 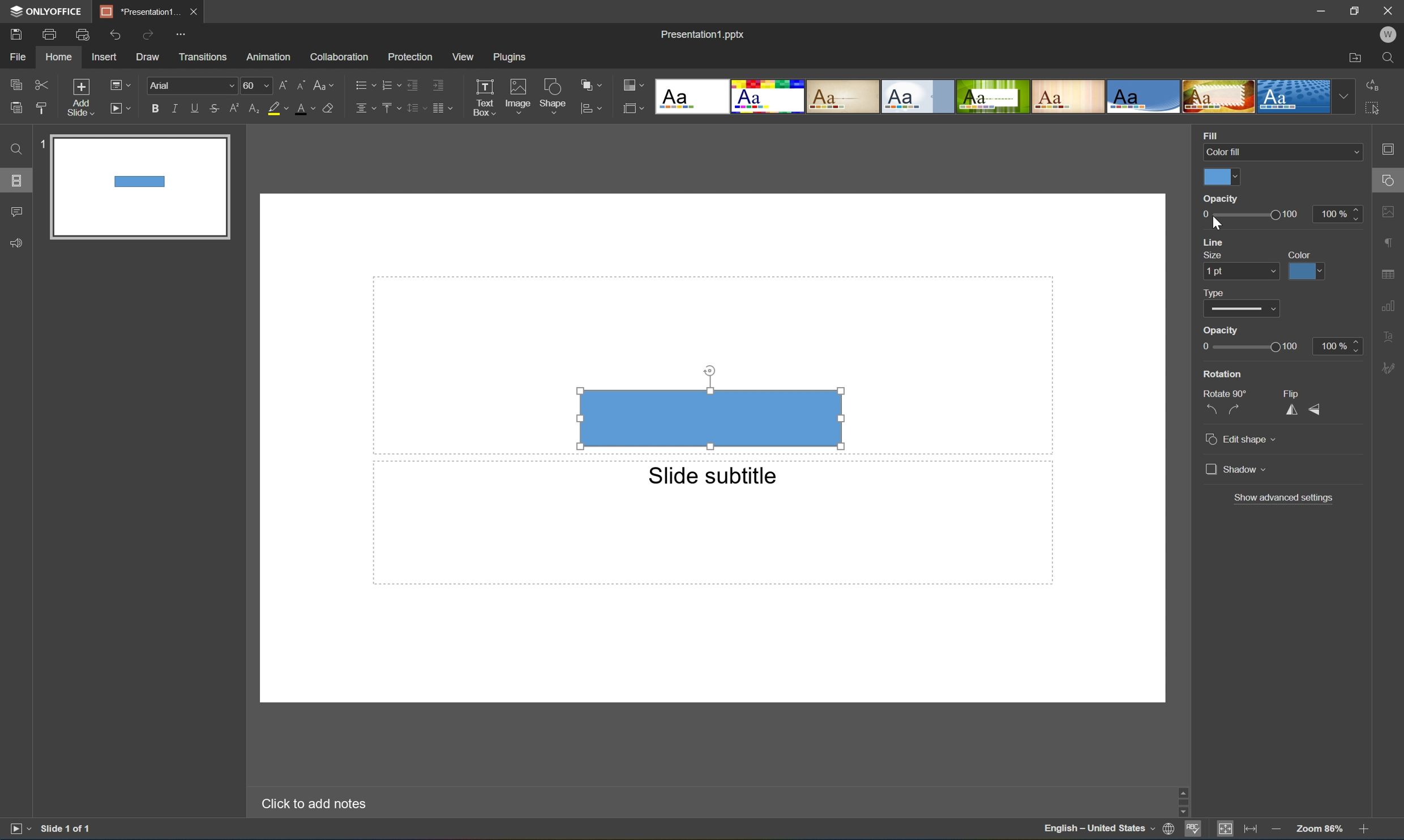 I want to click on Spell checking, so click(x=1191, y=832).